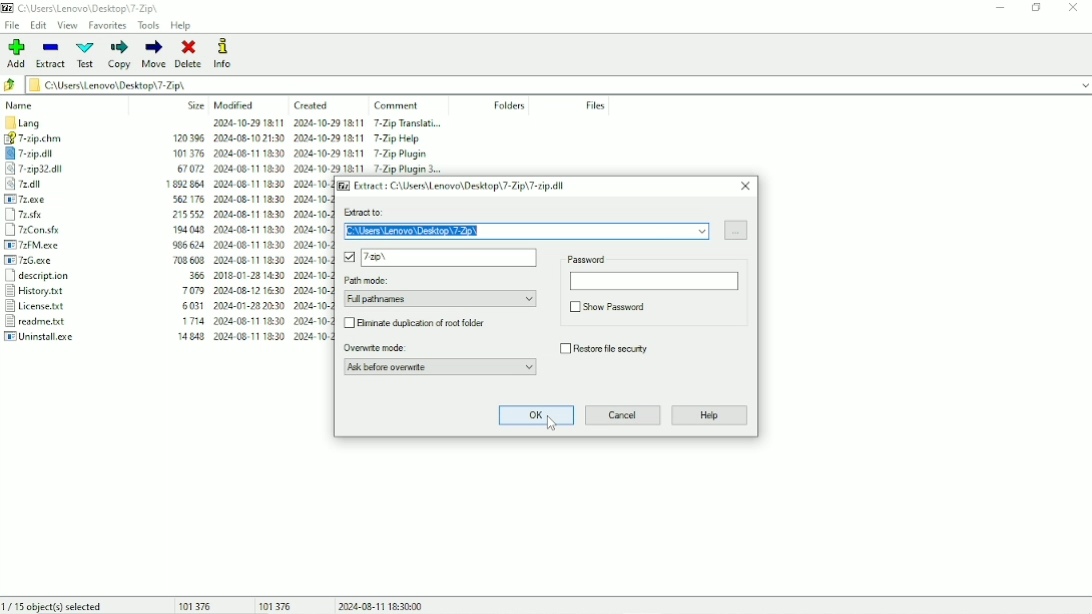 The height and width of the screenshot is (614, 1092). I want to click on OK, so click(537, 416).